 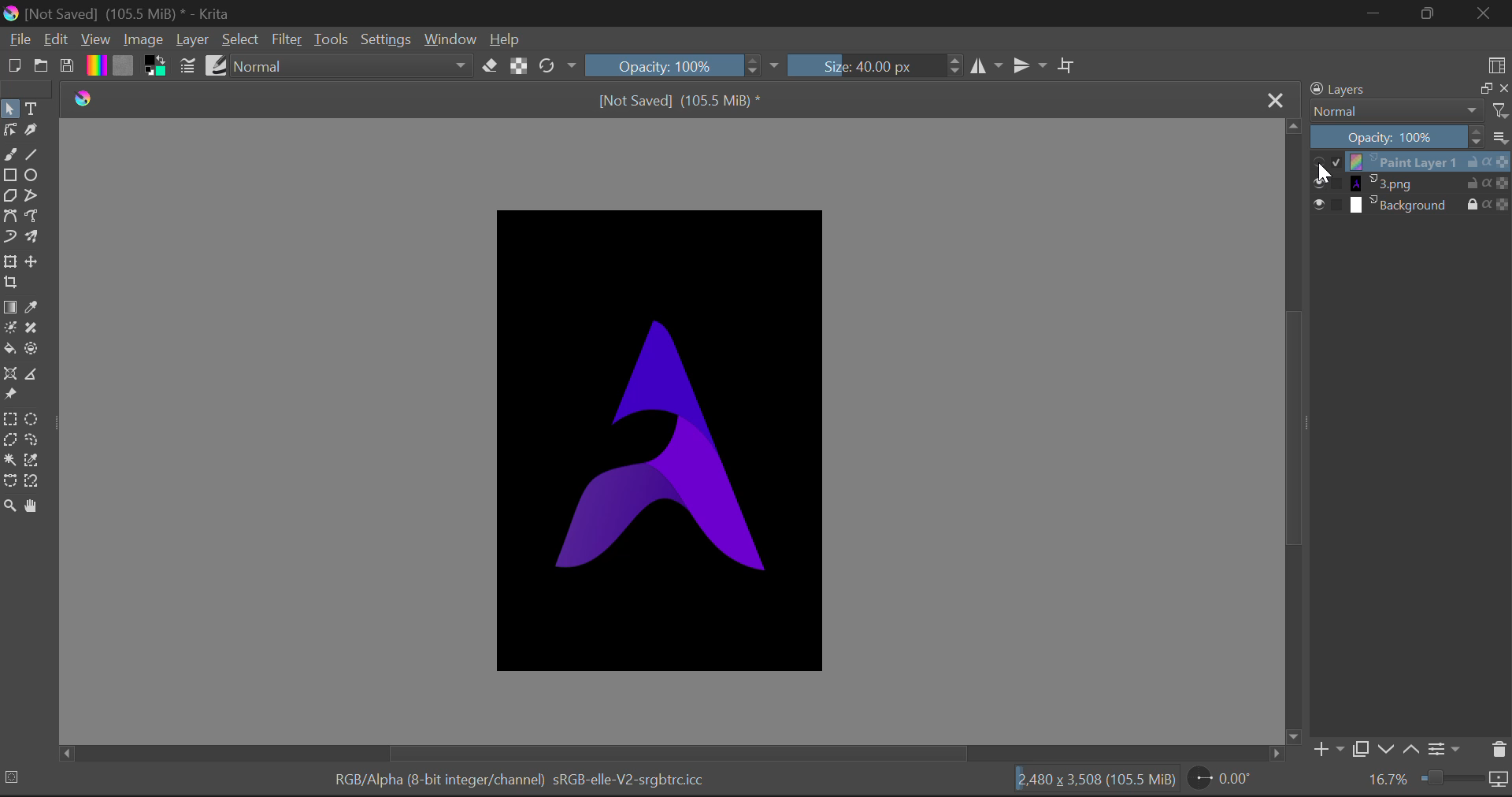 I want to click on Image, so click(x=145, y=42).